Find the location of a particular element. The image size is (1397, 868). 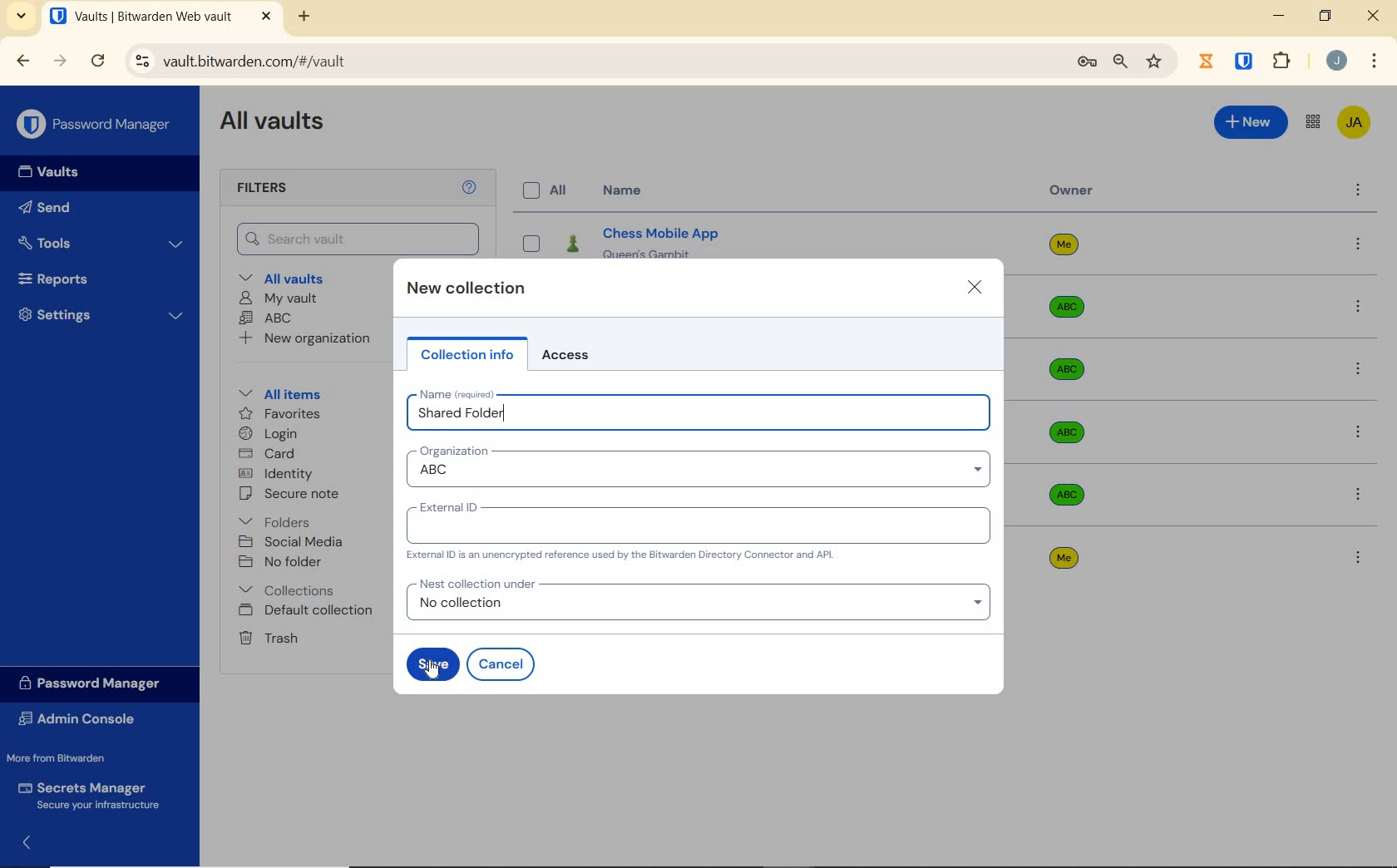

address bar is located at coordinates (590, 62).